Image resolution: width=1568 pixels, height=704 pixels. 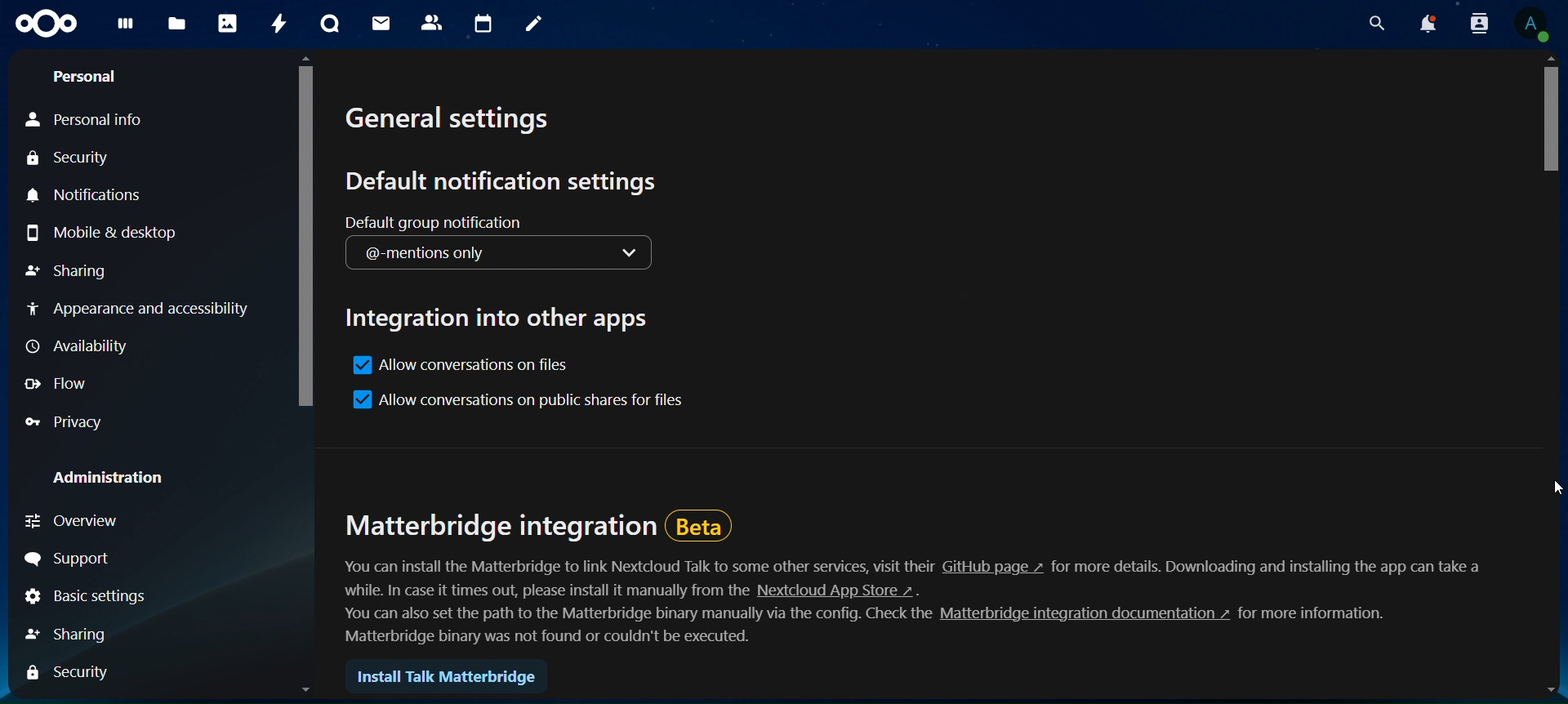 I want to click on security, so click(x=71, y=673).